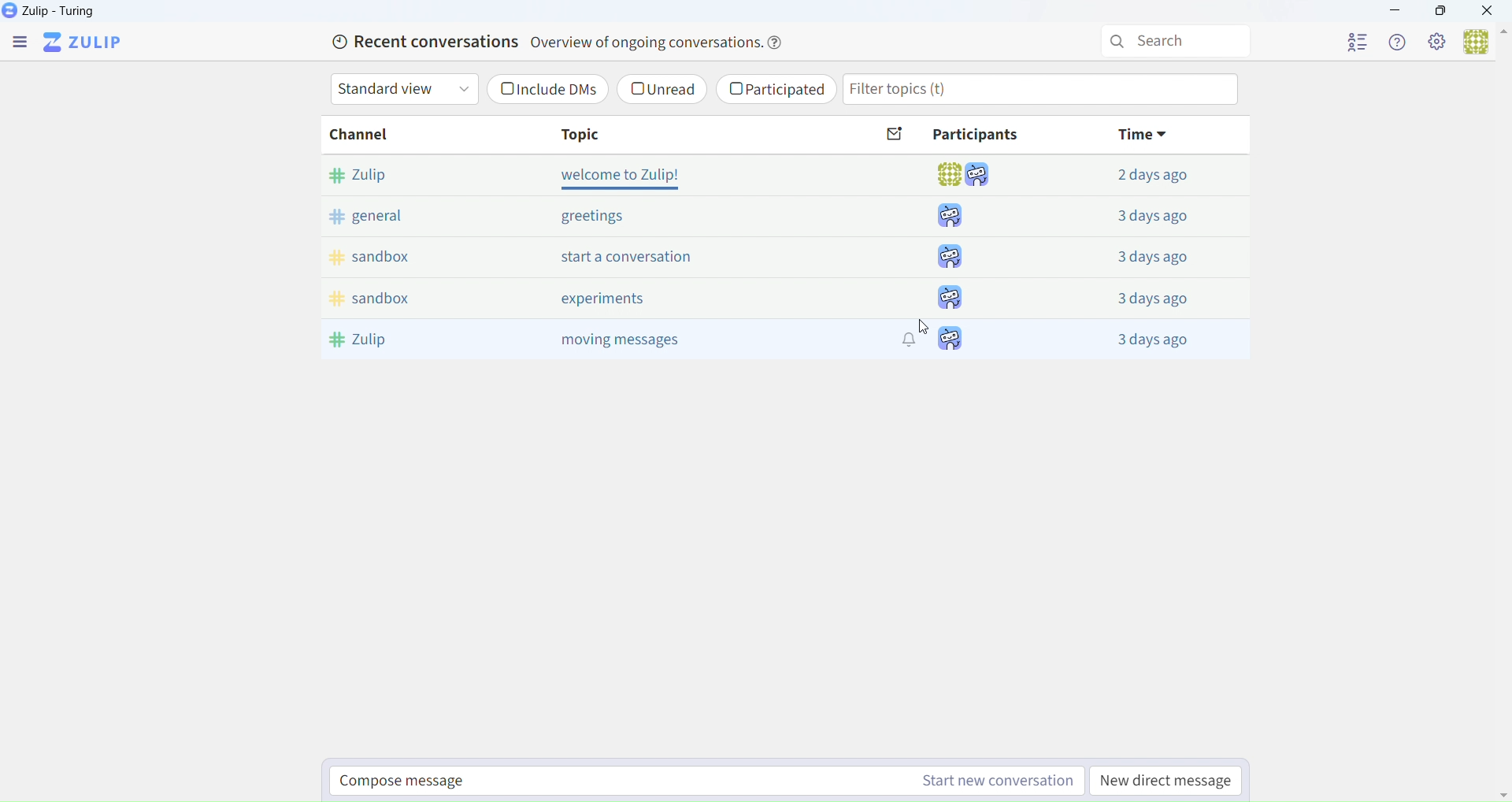  Describe the element at coordinates (1156, 176) in the screenshot. I see `2 days ago` at that location.